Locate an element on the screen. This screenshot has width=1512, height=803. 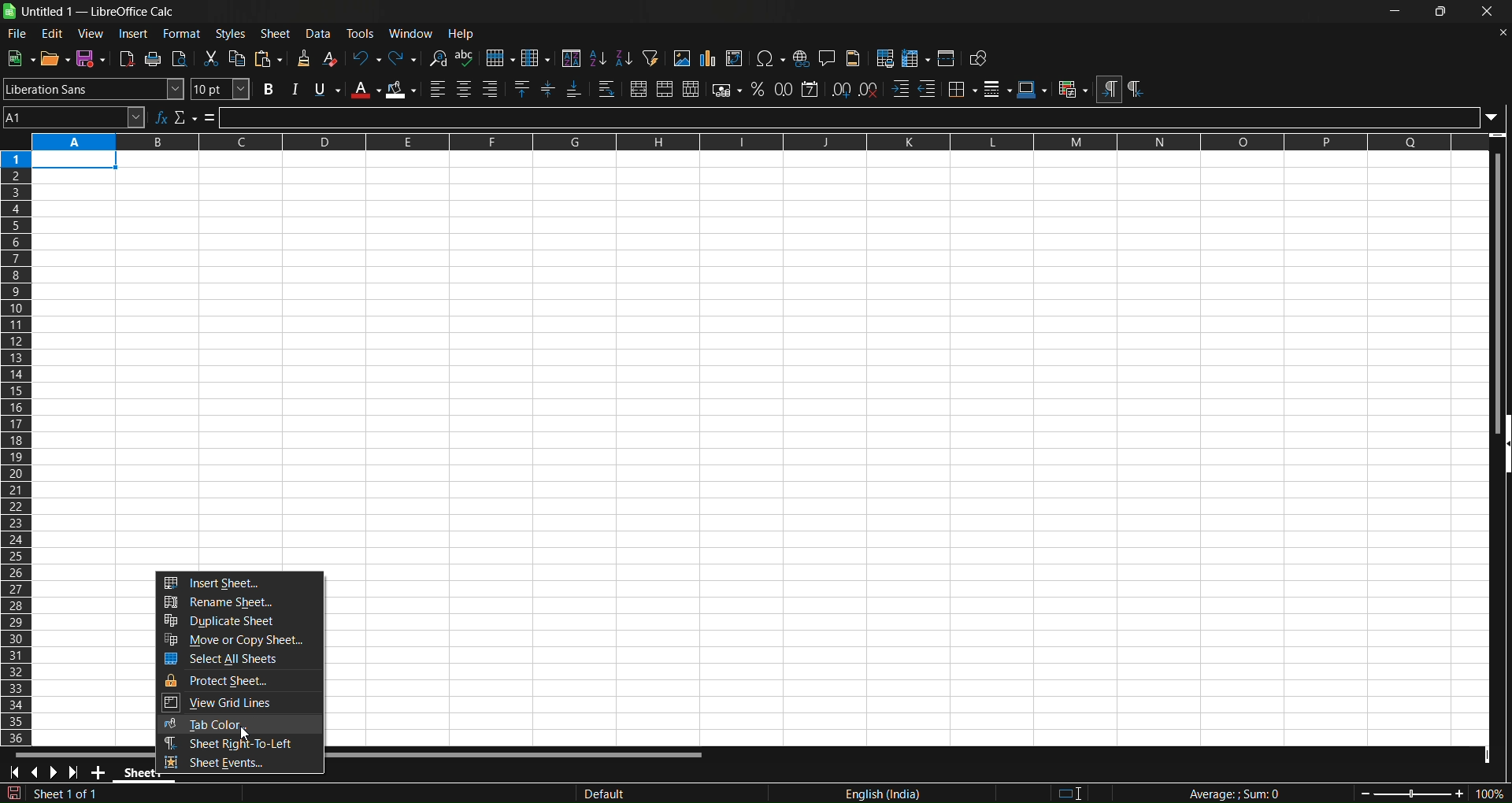
selected cells is located at coordinates (75, 161).